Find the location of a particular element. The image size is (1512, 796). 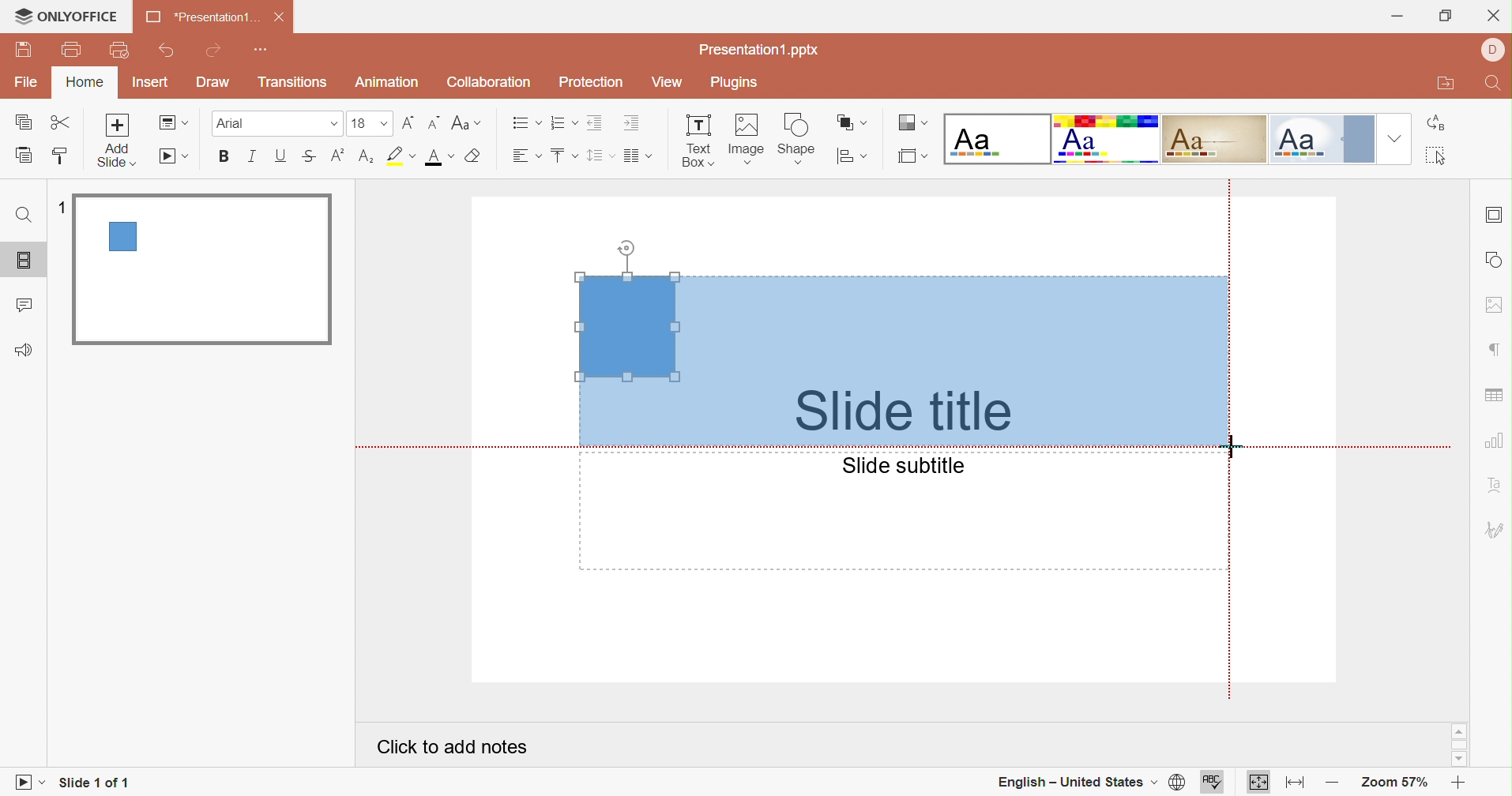

Line spacing is located at coordinates (601, 156).